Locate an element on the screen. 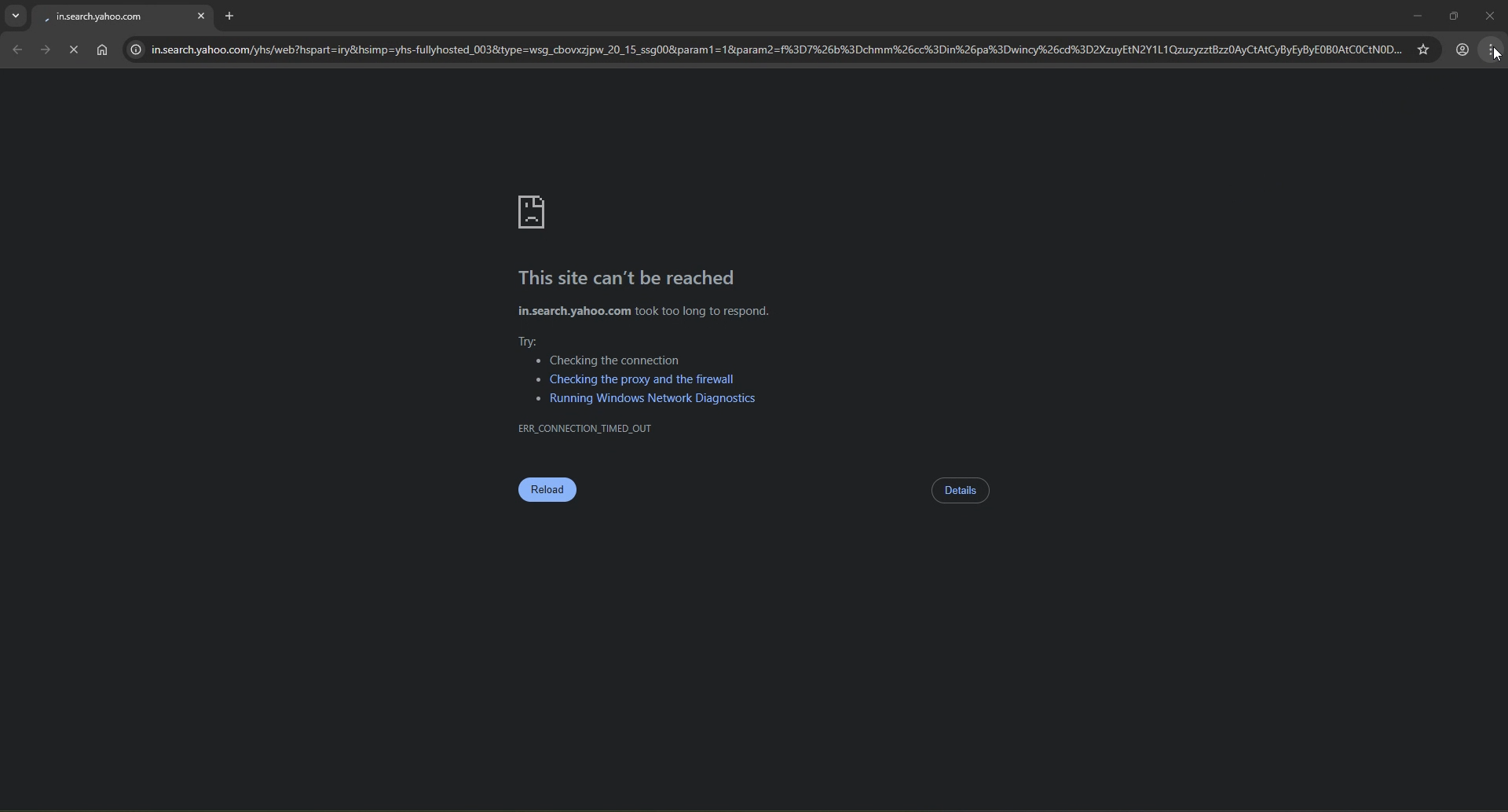  checking the connection is located at coordinates (609, 360).